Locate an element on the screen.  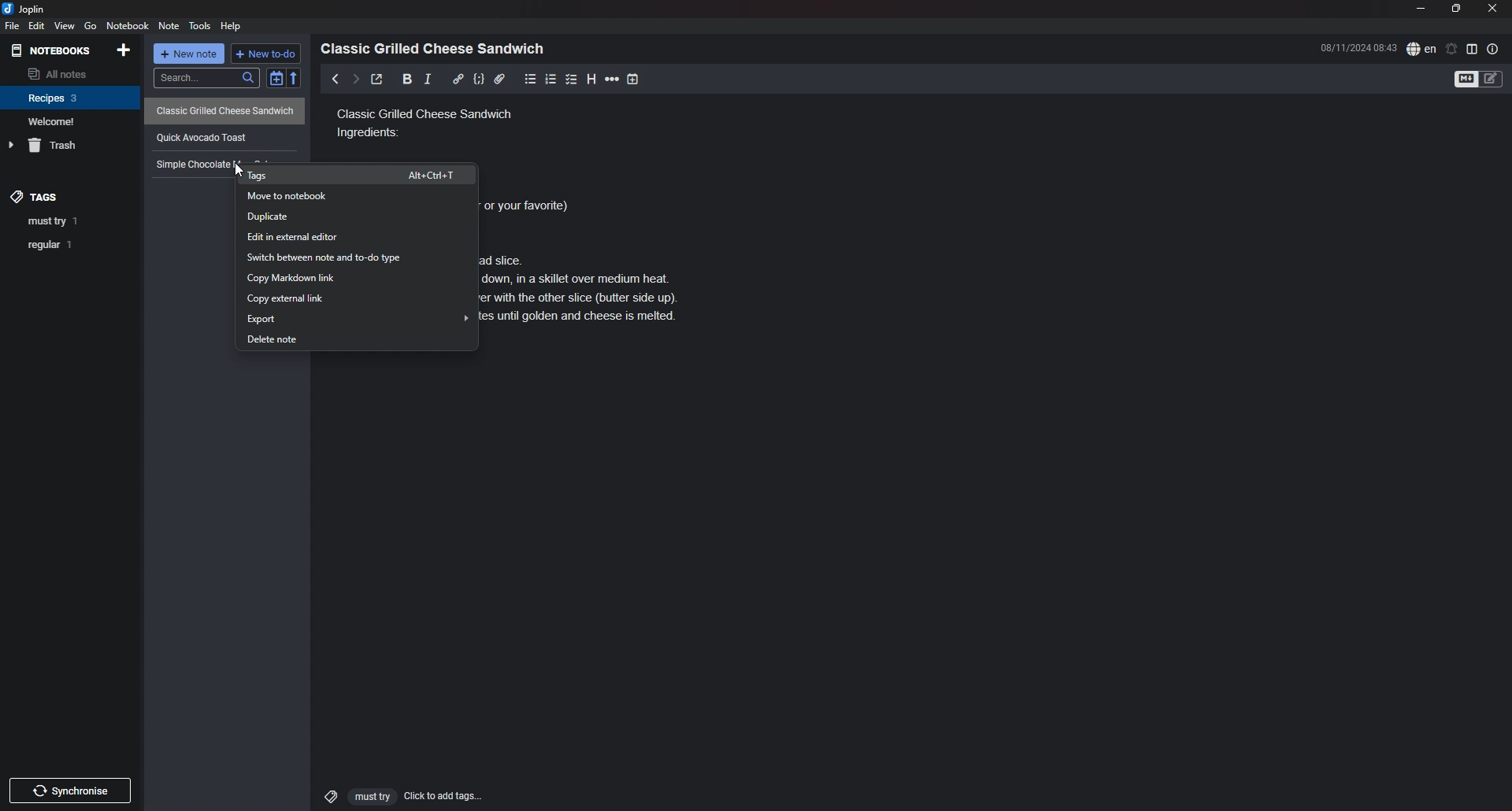
search is located at coordinates (206, 78).